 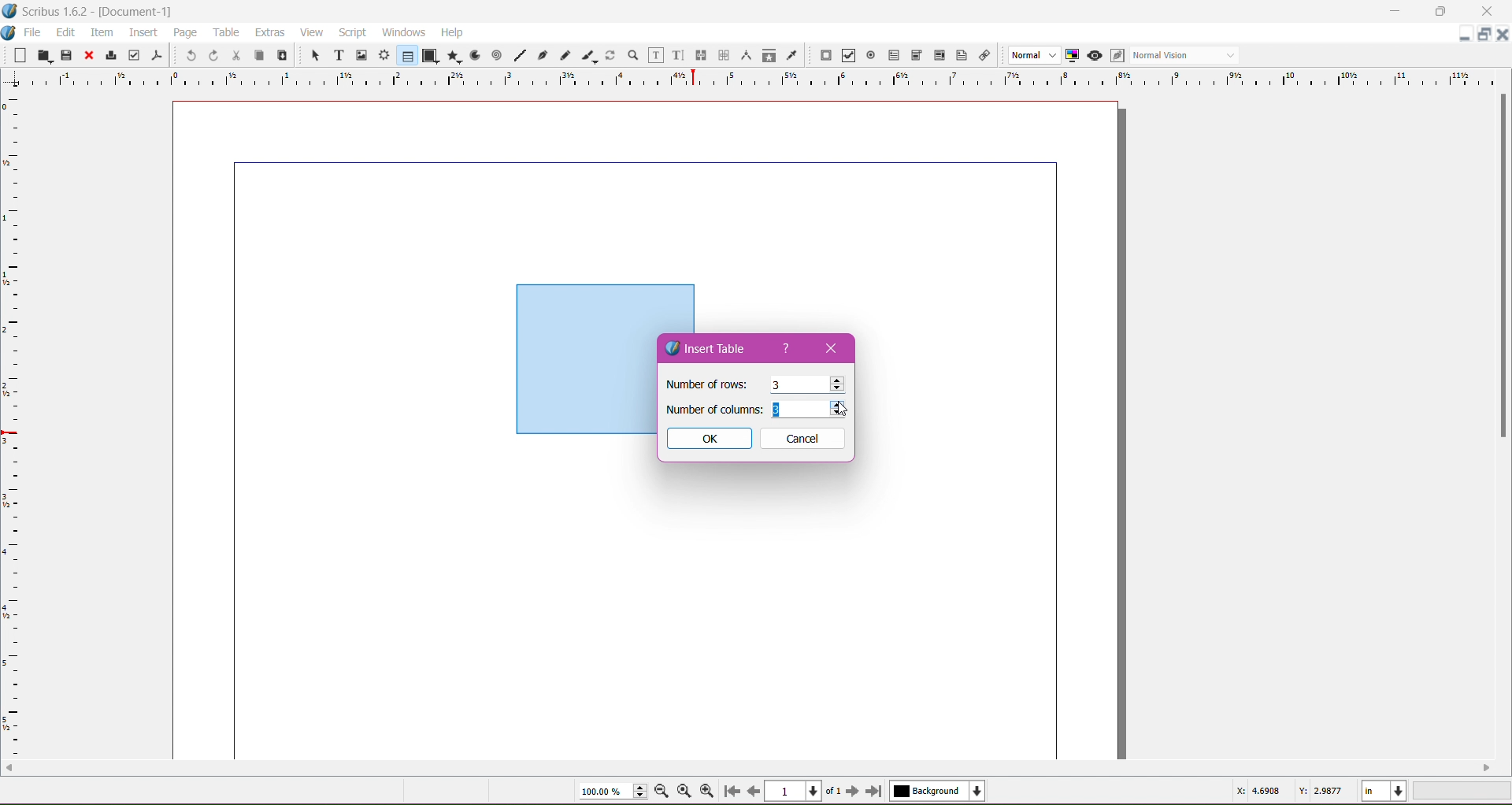 What do you see at coordinates (699, 55) in the screenshot?
I see `Link Text Frames` at bounding box center [699, 55].